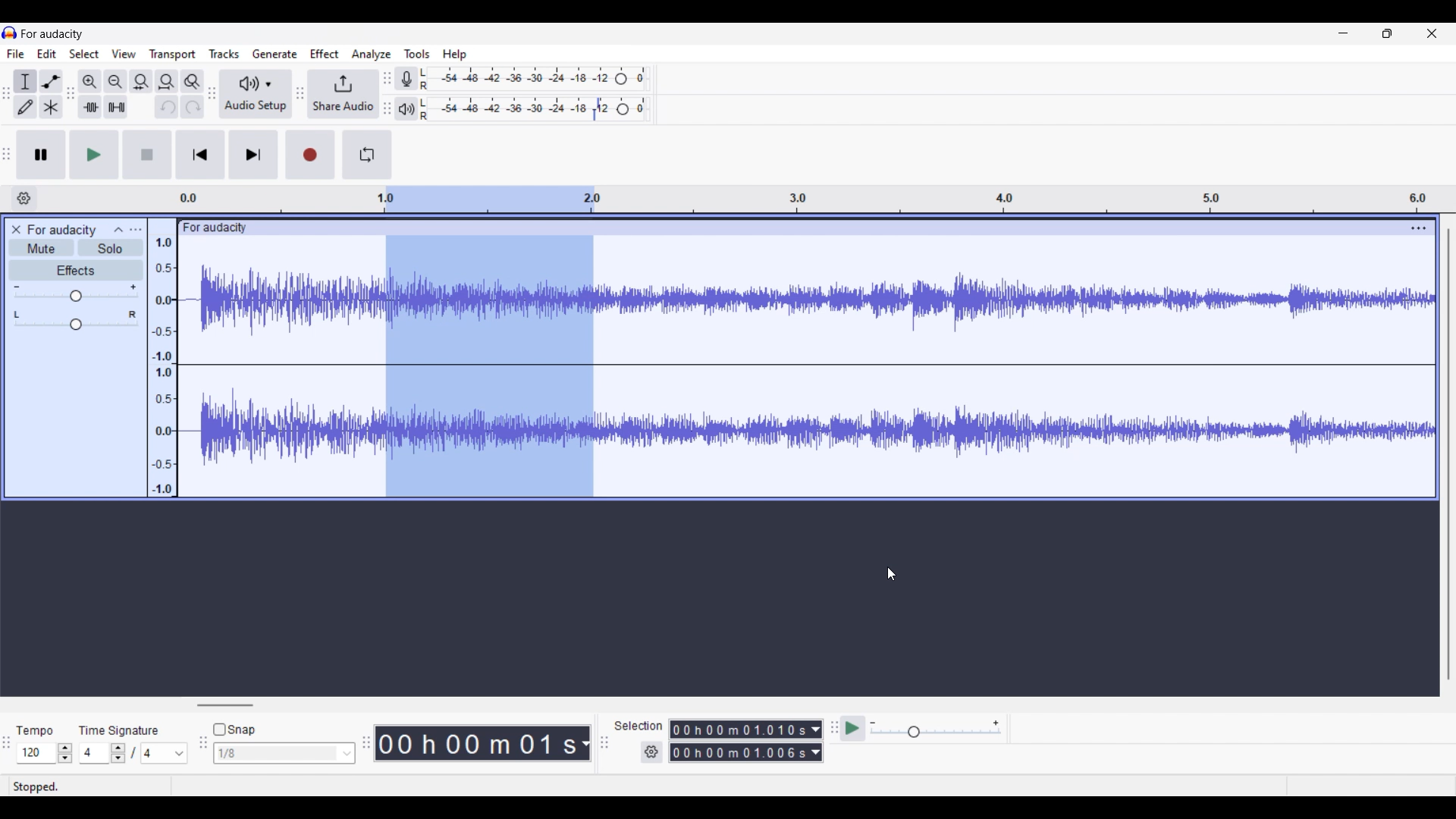  What do you see at coordinates (59, 33) in the screenshot?
I see `for audacity` at bounding box center [59, 33].